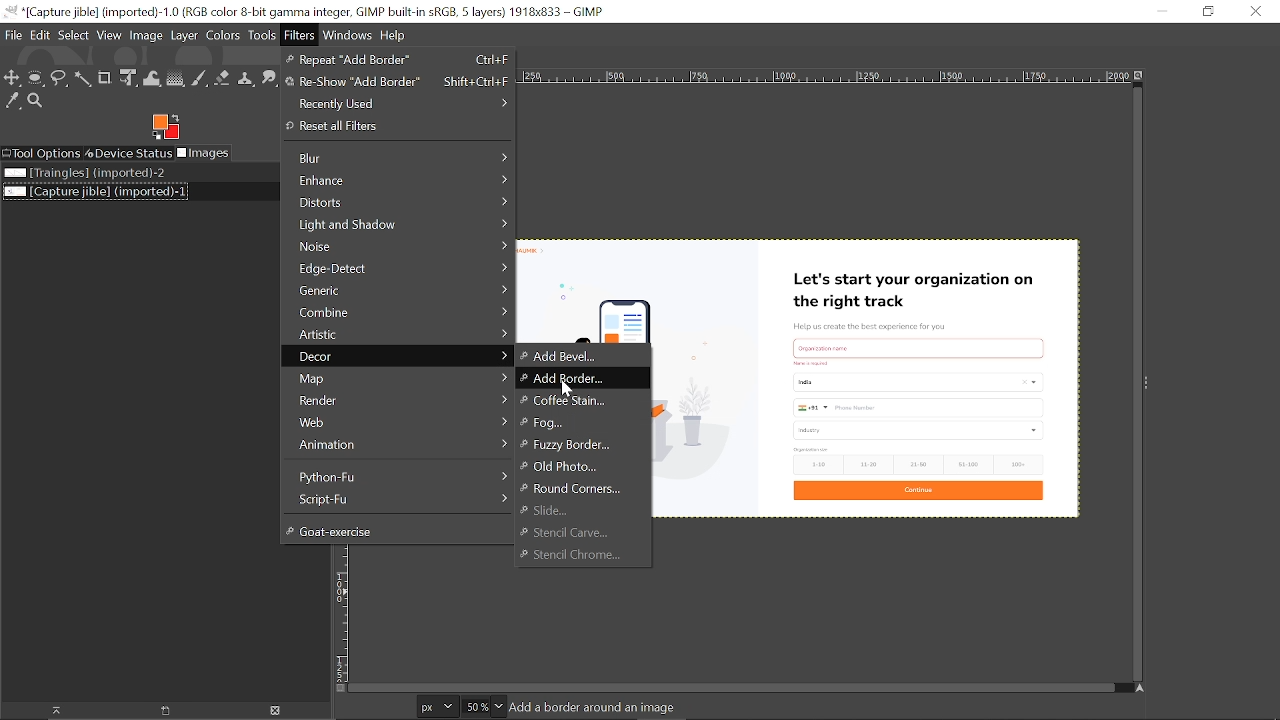  Describe the element at coordinates (37, 78) in the screenshot. I see `Ellipse select tool` at that location.